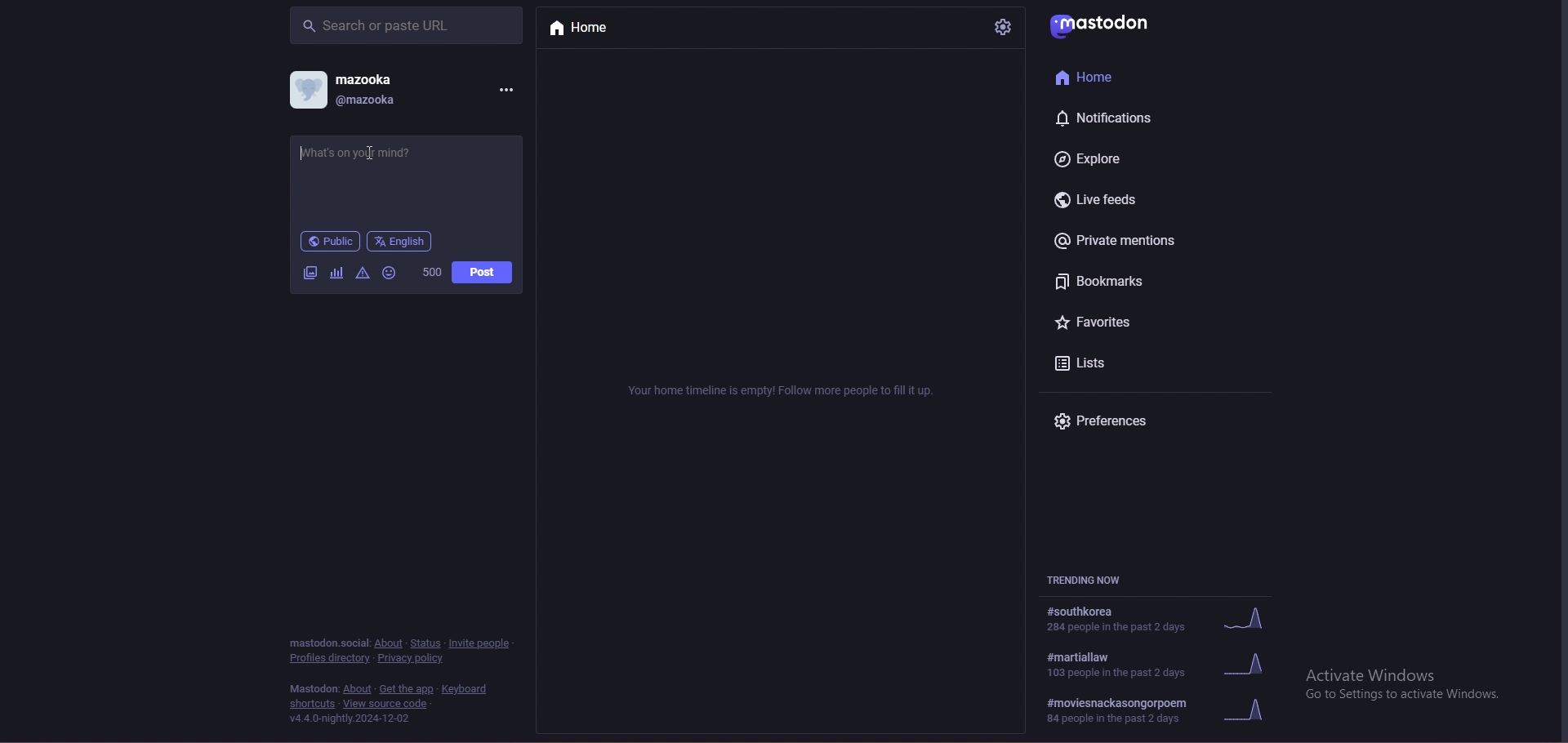 The width and height of the screenshot is (1568, 743). Describe the element at coordinates (595, 29) in the screenshot. I see `home` at that location.